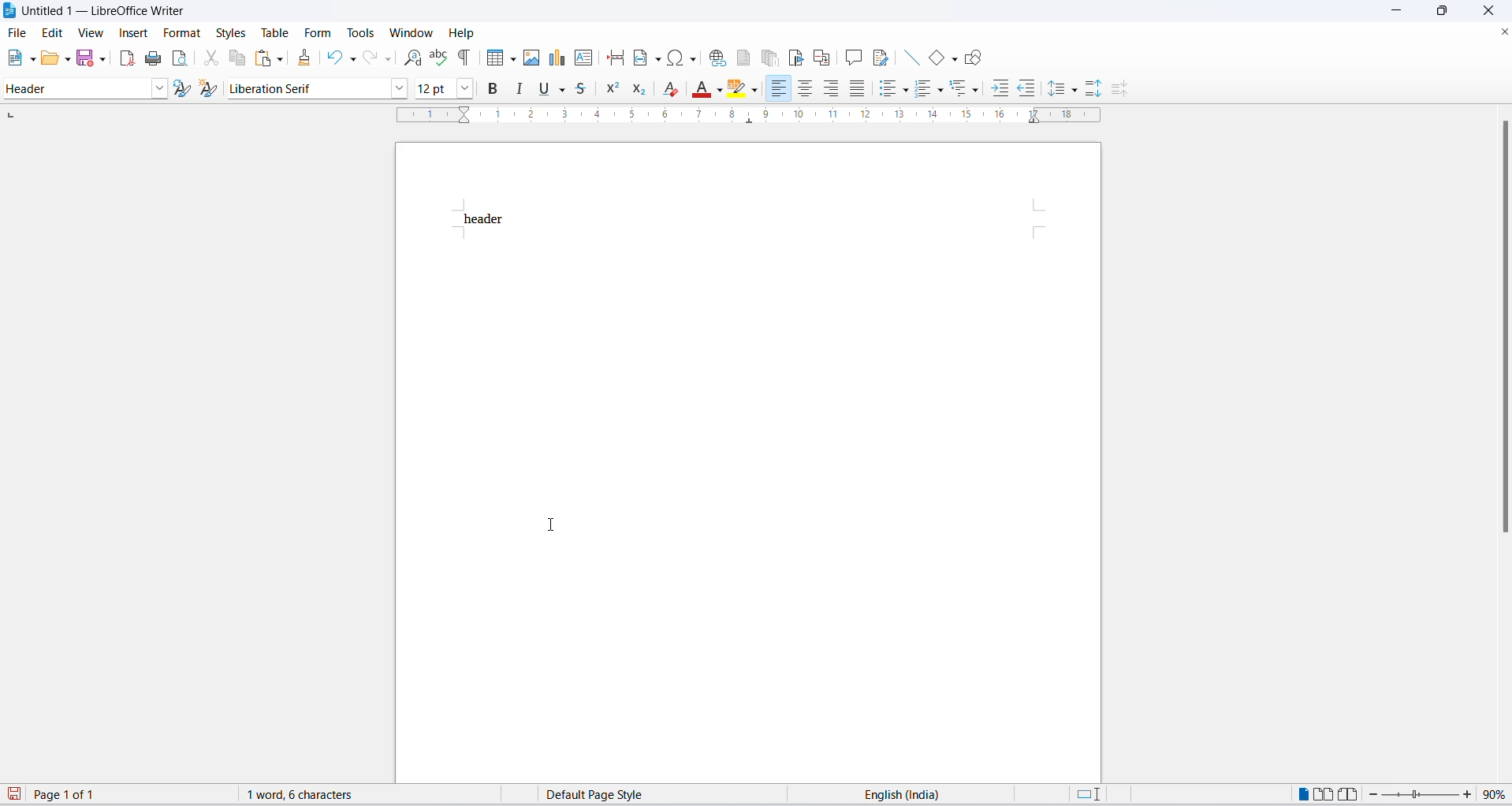 The width and height of the screenshot is (1512, 806). Describe the element at coordinates (210, 87) in the screenshot. I see `create new style from selection` at that location.